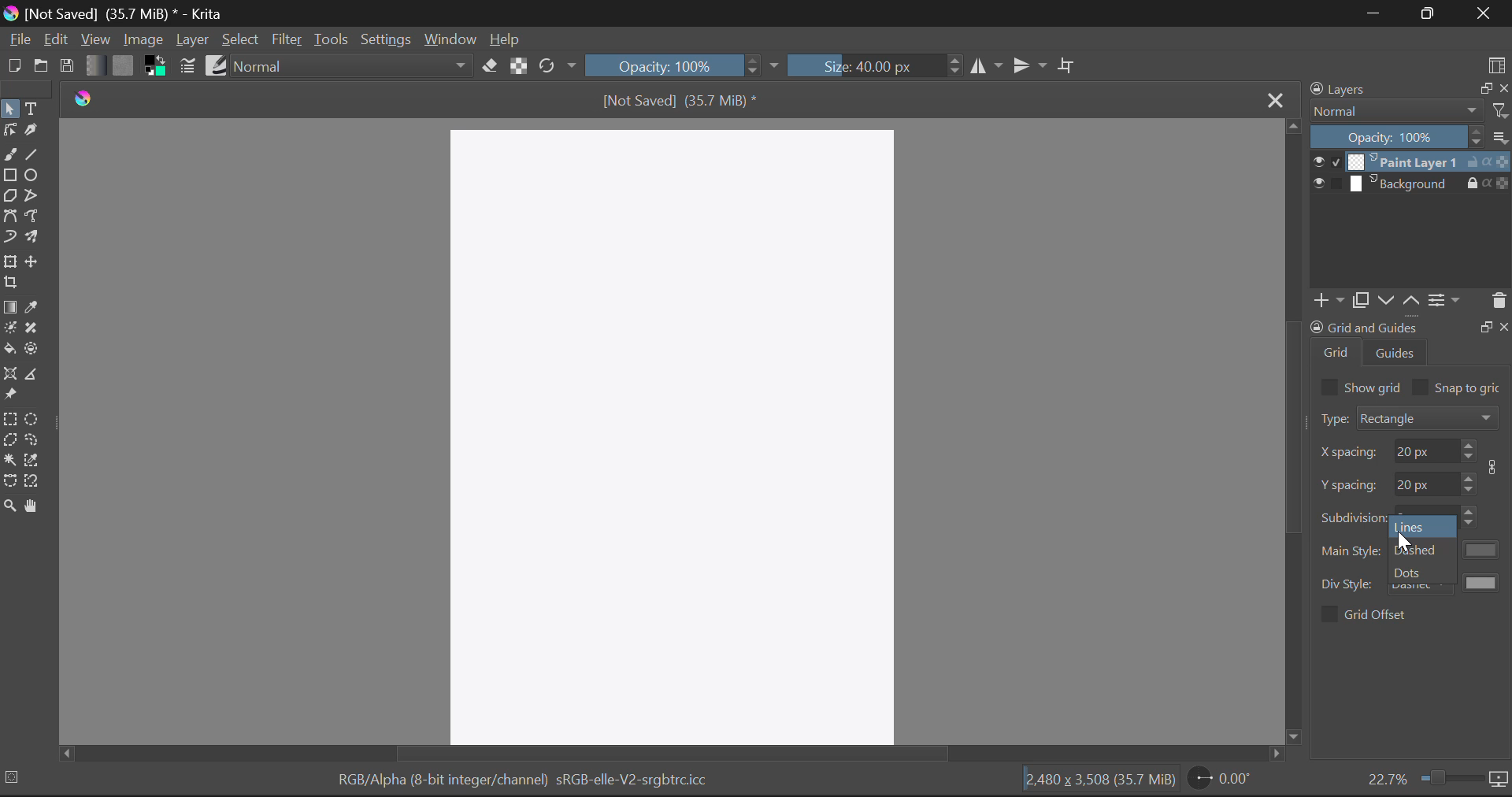 This screenshot has height=797, width=1512. What do you see at coordinates (66, 63) in the screenshot?
I see `Save` at bounding box center [66, 63].